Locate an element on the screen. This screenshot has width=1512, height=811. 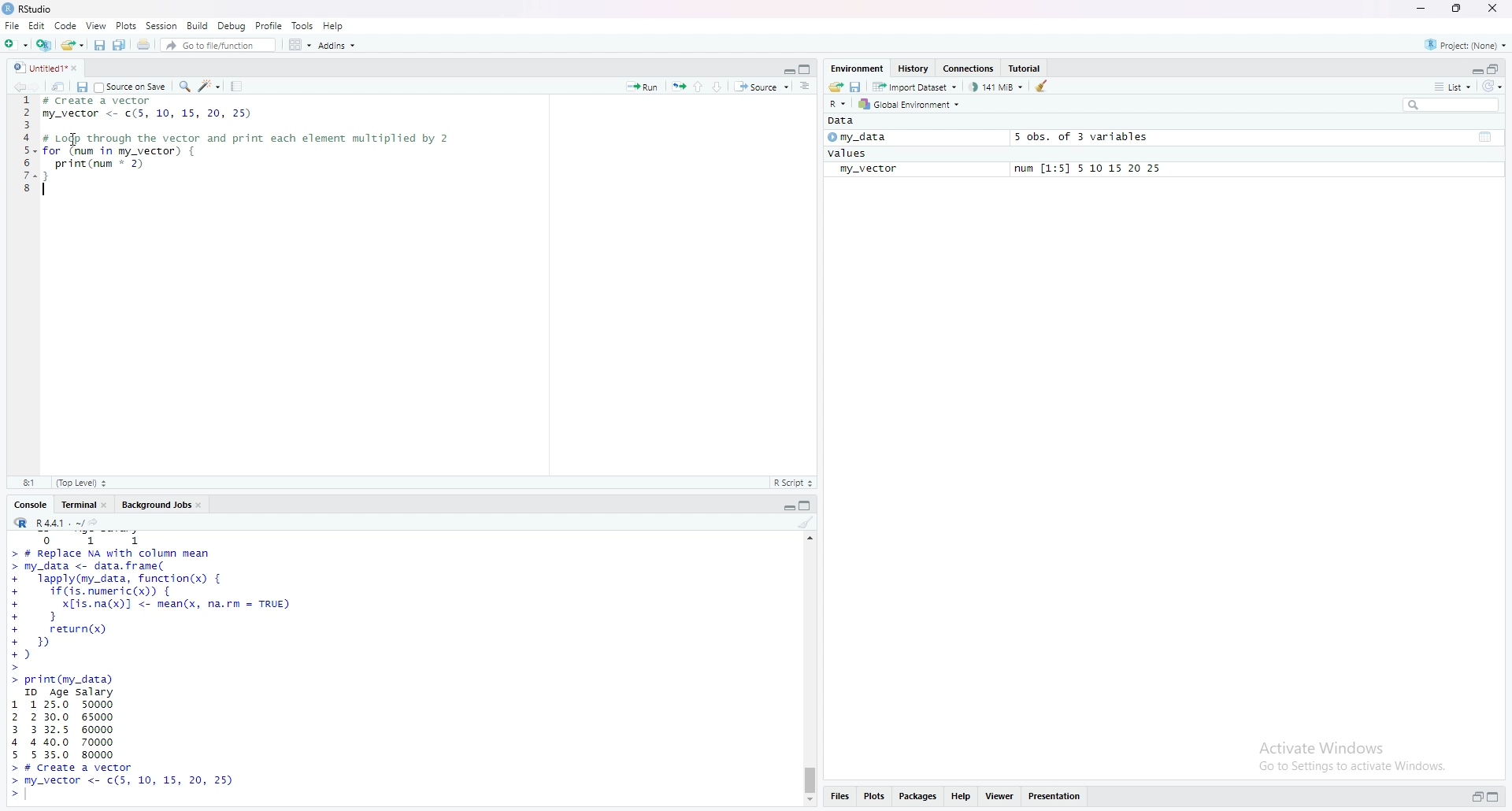
save current document is located at coordinates (82, 87).